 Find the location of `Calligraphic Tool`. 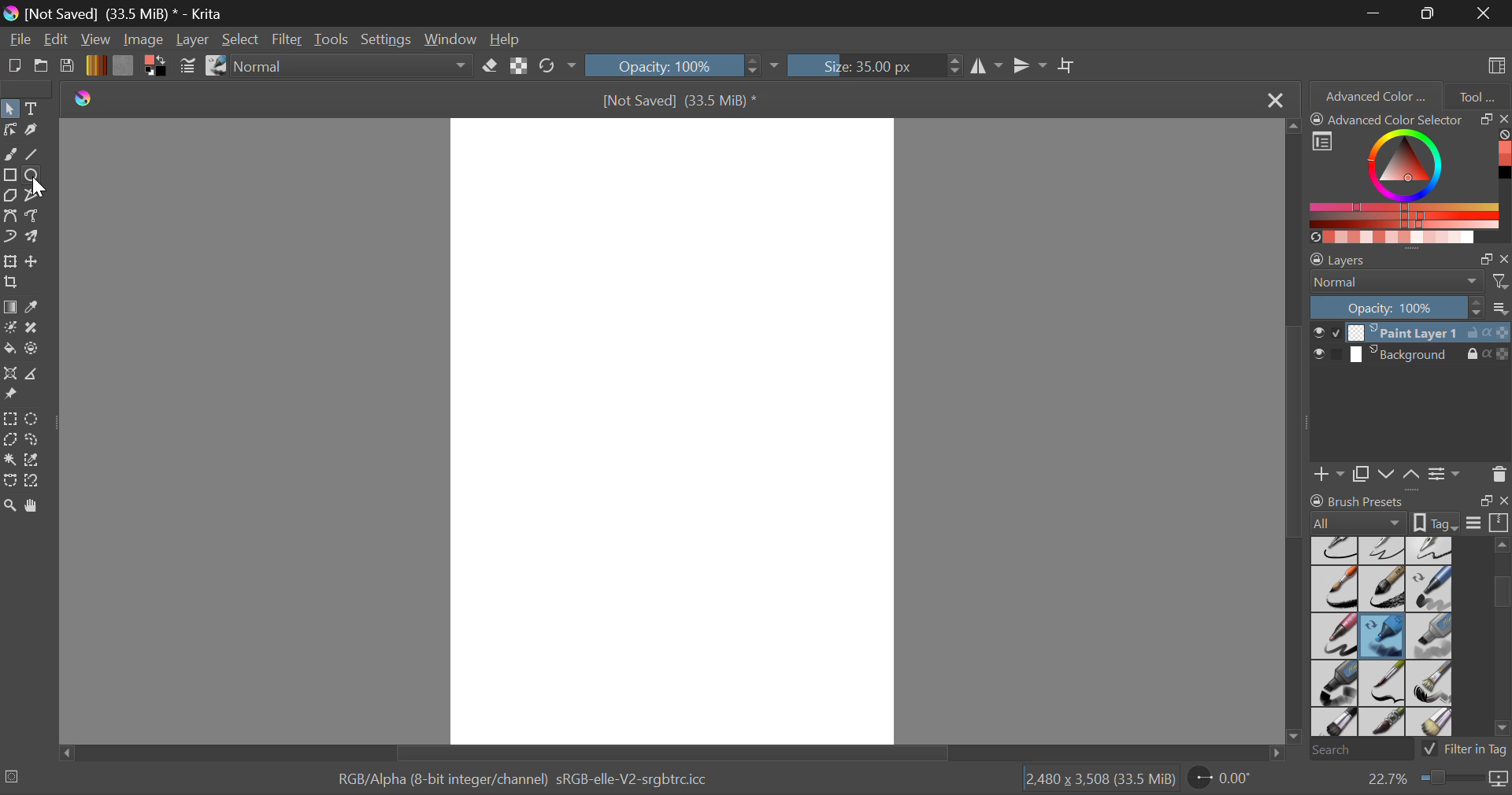

Calligraphic Tool is located at coordinates (35, 130).